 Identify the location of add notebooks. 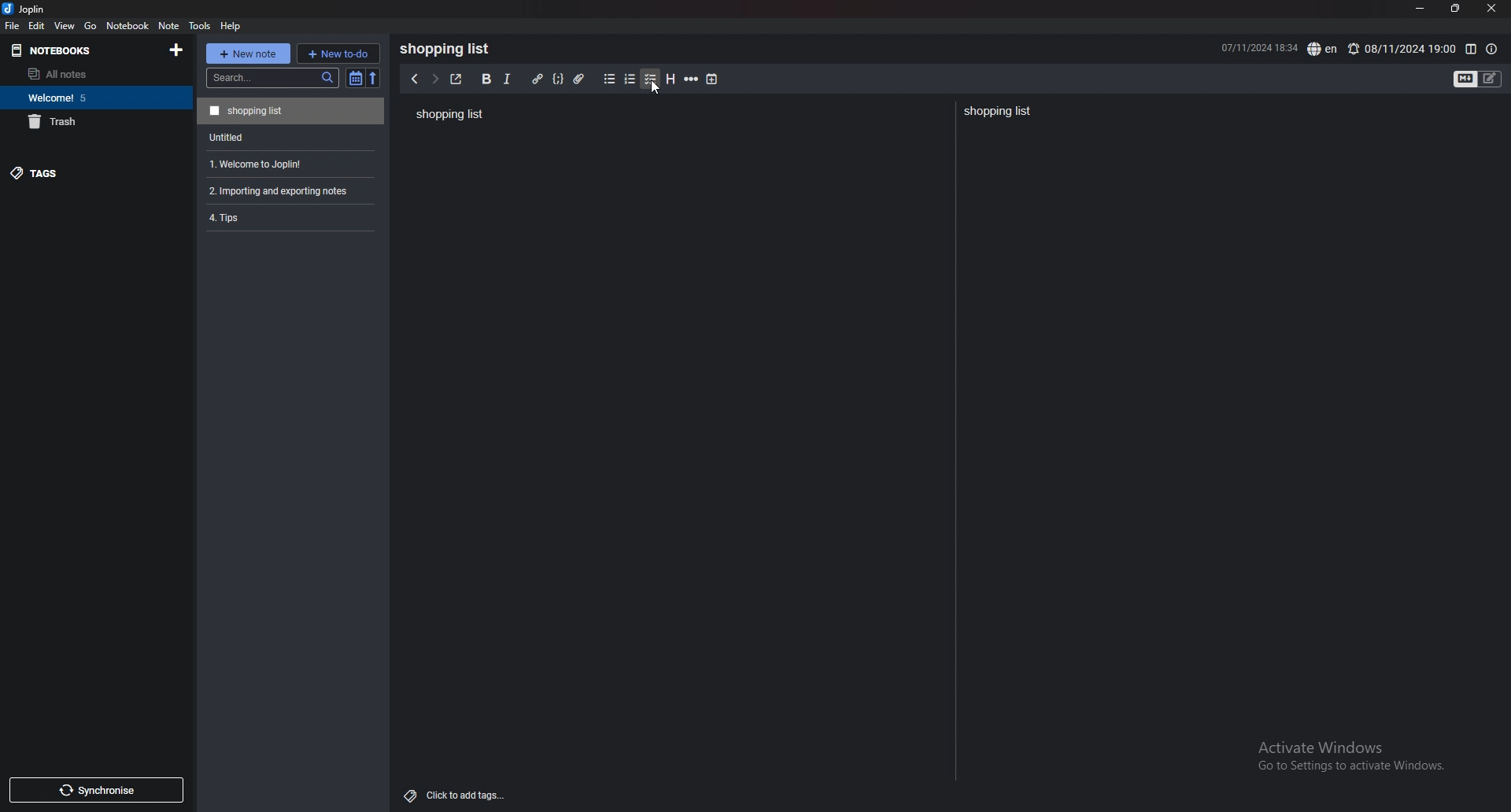
(177, 49).